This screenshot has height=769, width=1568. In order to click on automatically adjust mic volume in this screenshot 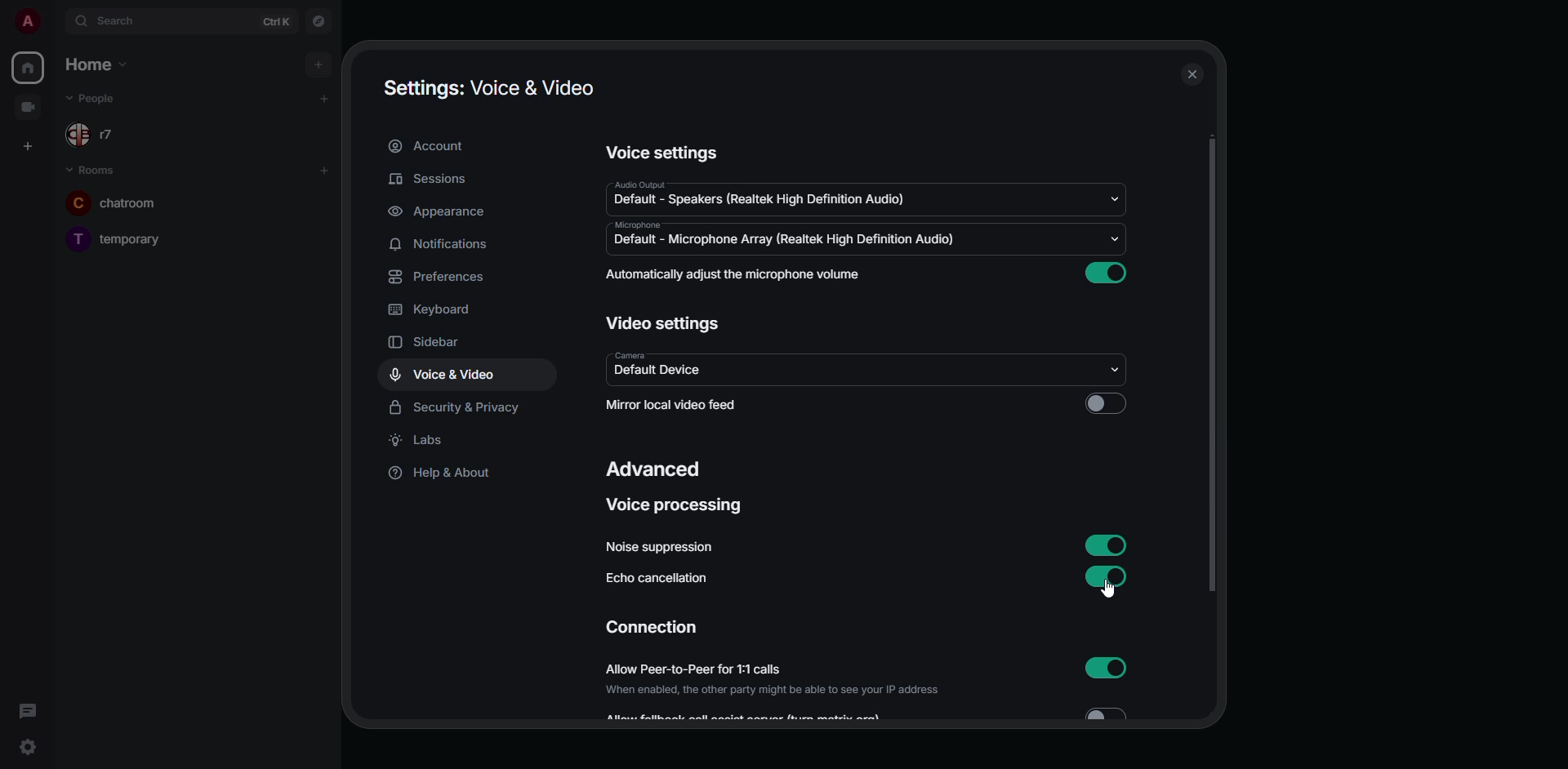, I will do `click(735, 274)`.